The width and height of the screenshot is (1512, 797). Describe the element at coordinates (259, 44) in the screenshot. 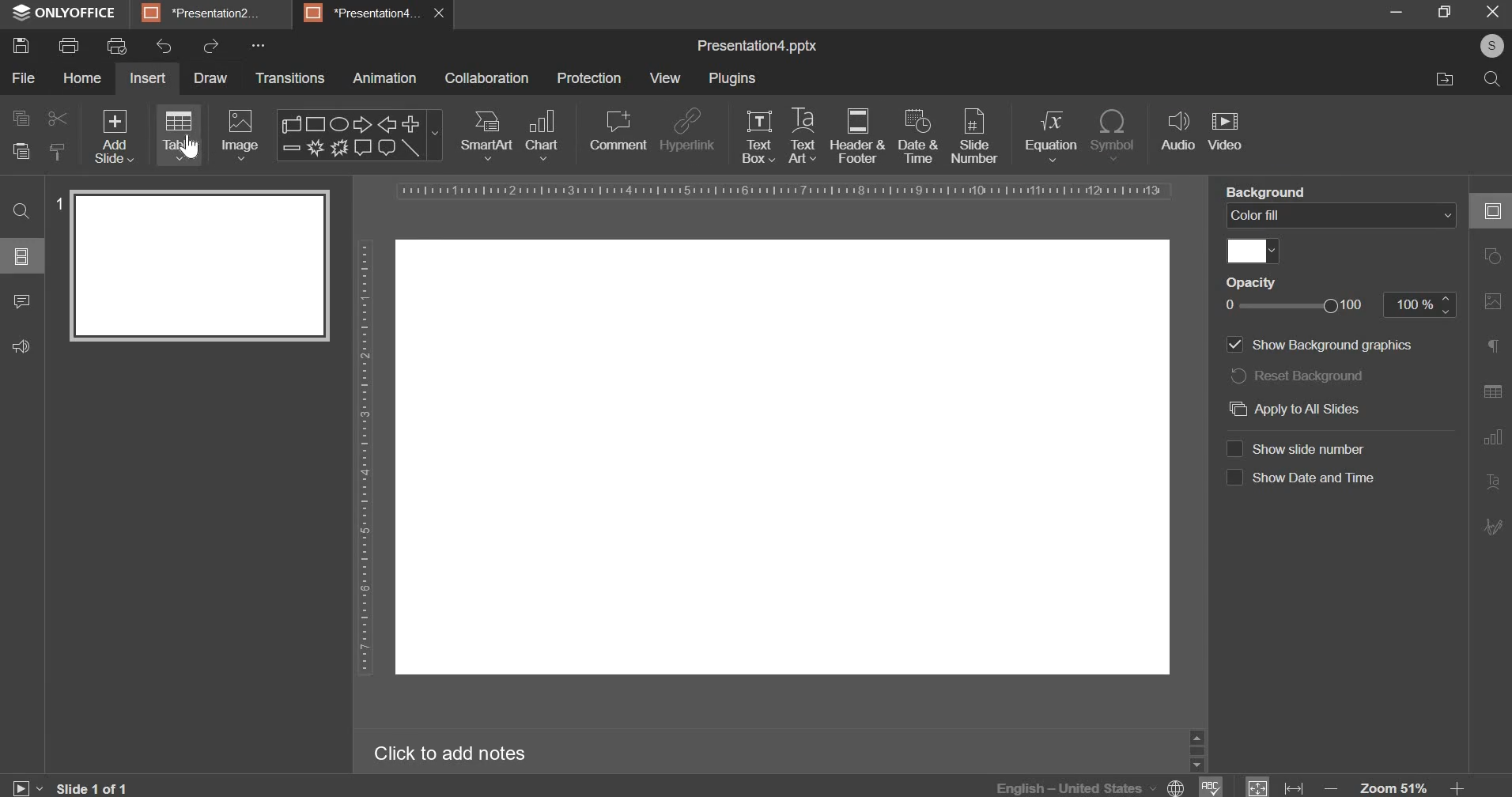

I see `more` at that location.